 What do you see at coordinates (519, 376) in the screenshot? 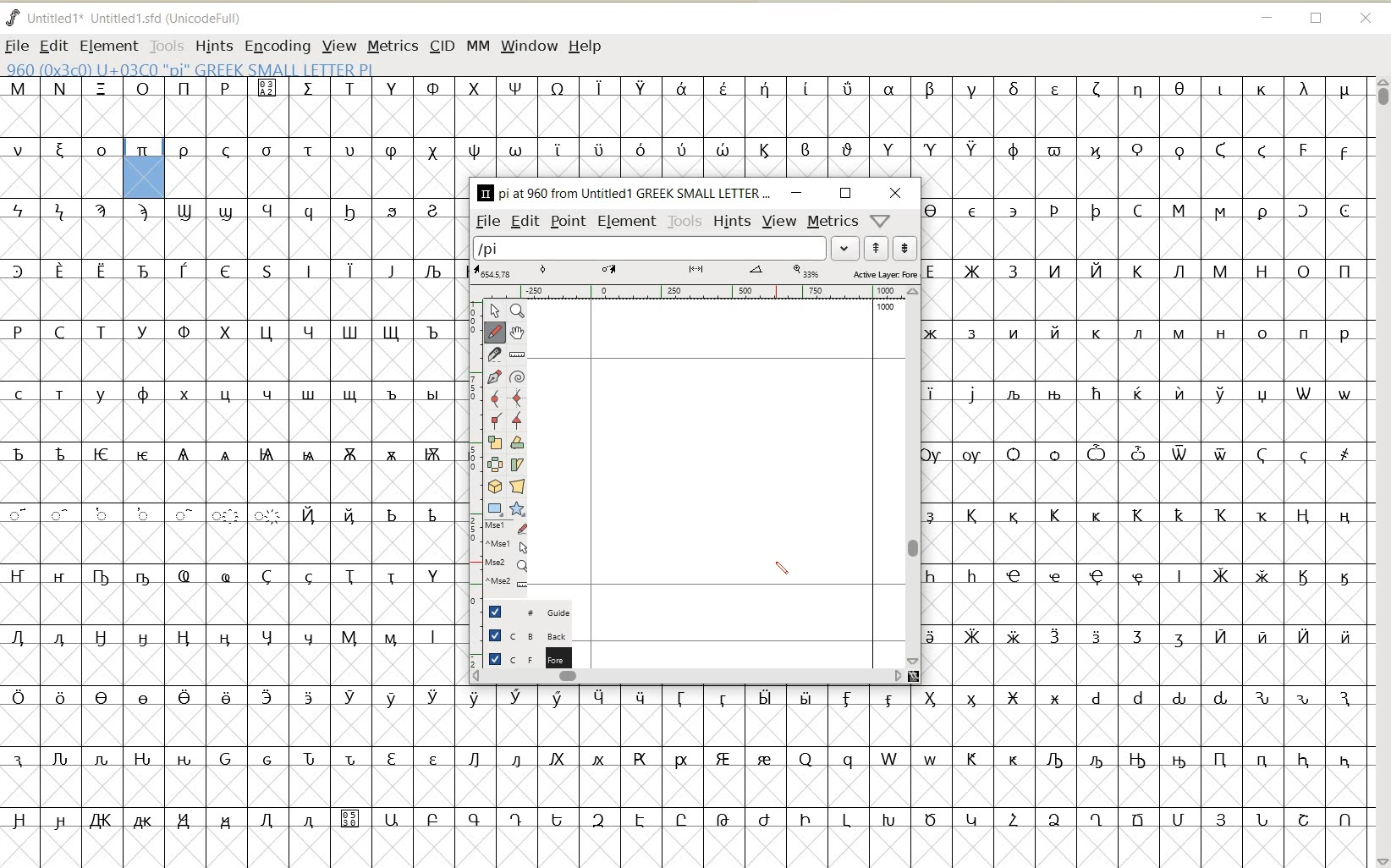
I see `change whether spiro is active or not` at bounding box center [519, 376].